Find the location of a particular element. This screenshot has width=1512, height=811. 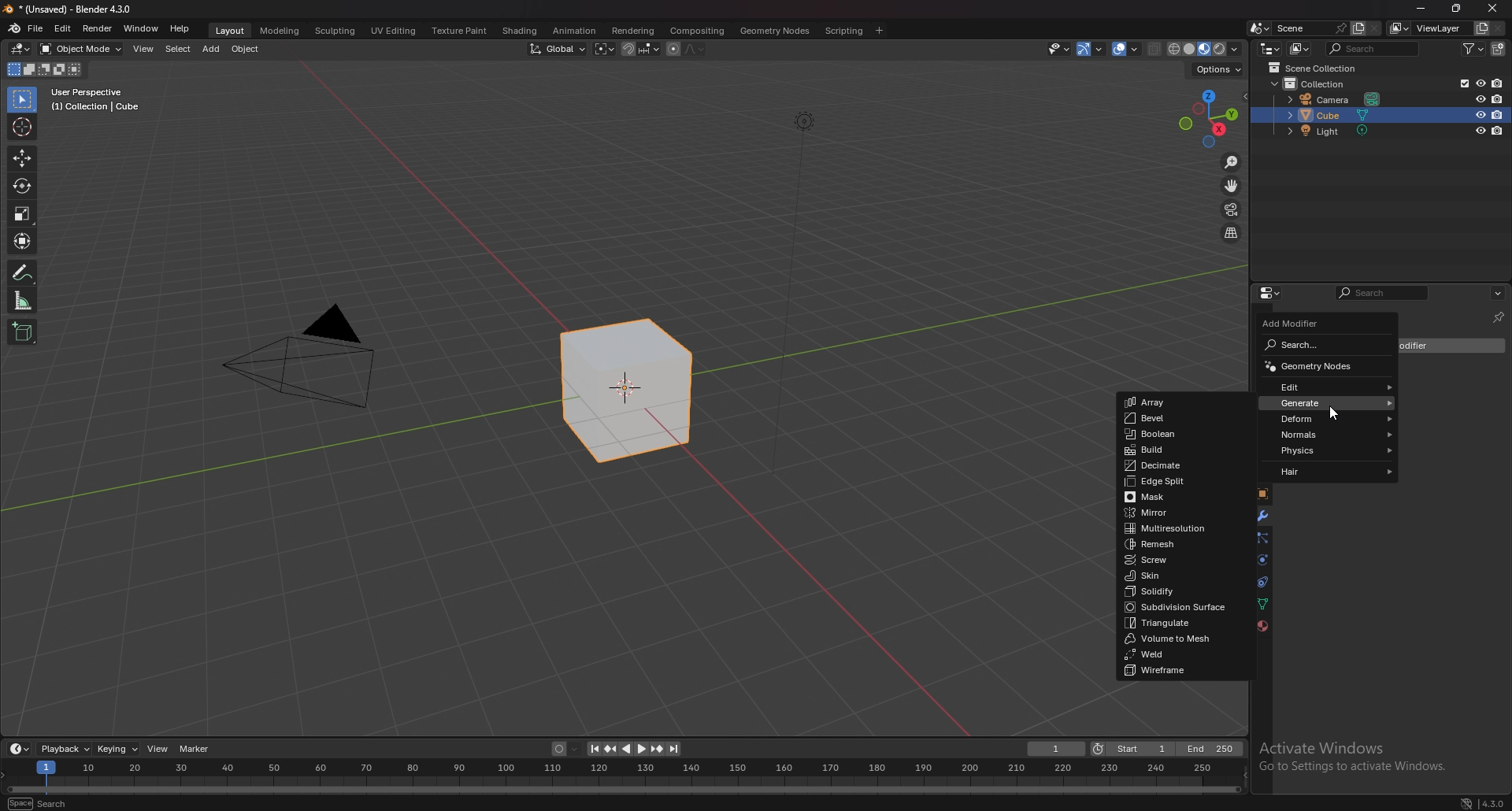

particles is located at coordinates (1262, 537).